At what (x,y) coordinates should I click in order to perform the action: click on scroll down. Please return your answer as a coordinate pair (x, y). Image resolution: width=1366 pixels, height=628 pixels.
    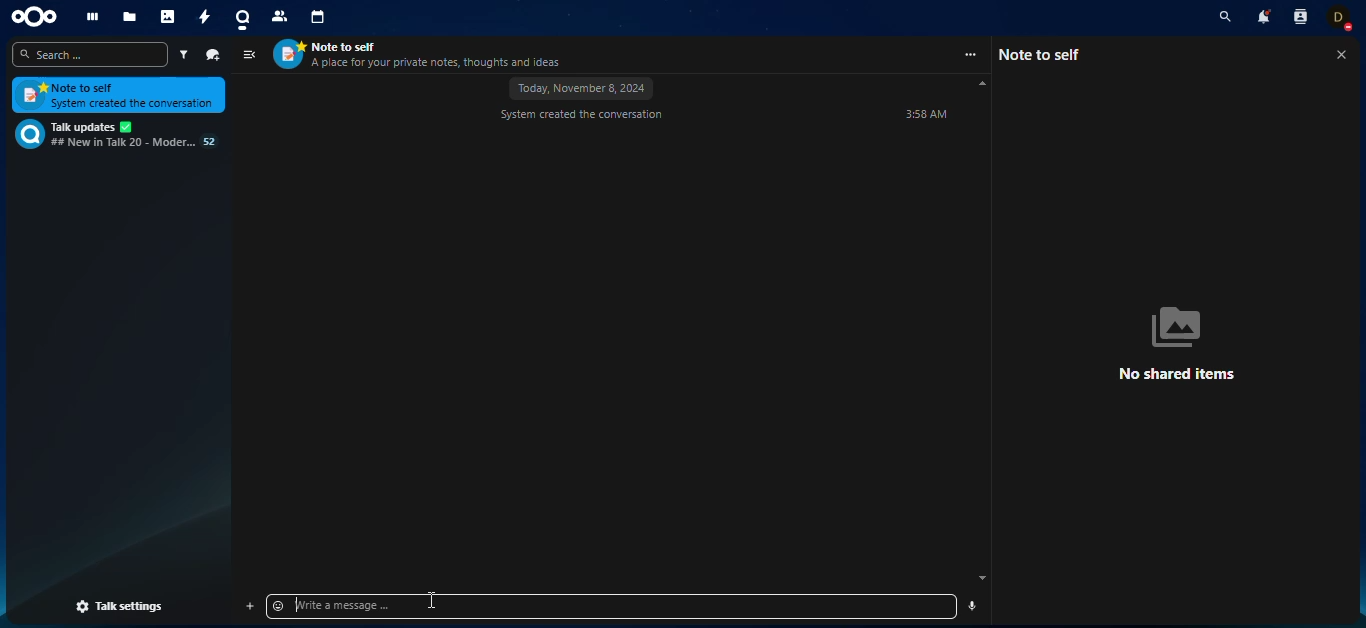
    Looking at the image, I should click on (981, 578).